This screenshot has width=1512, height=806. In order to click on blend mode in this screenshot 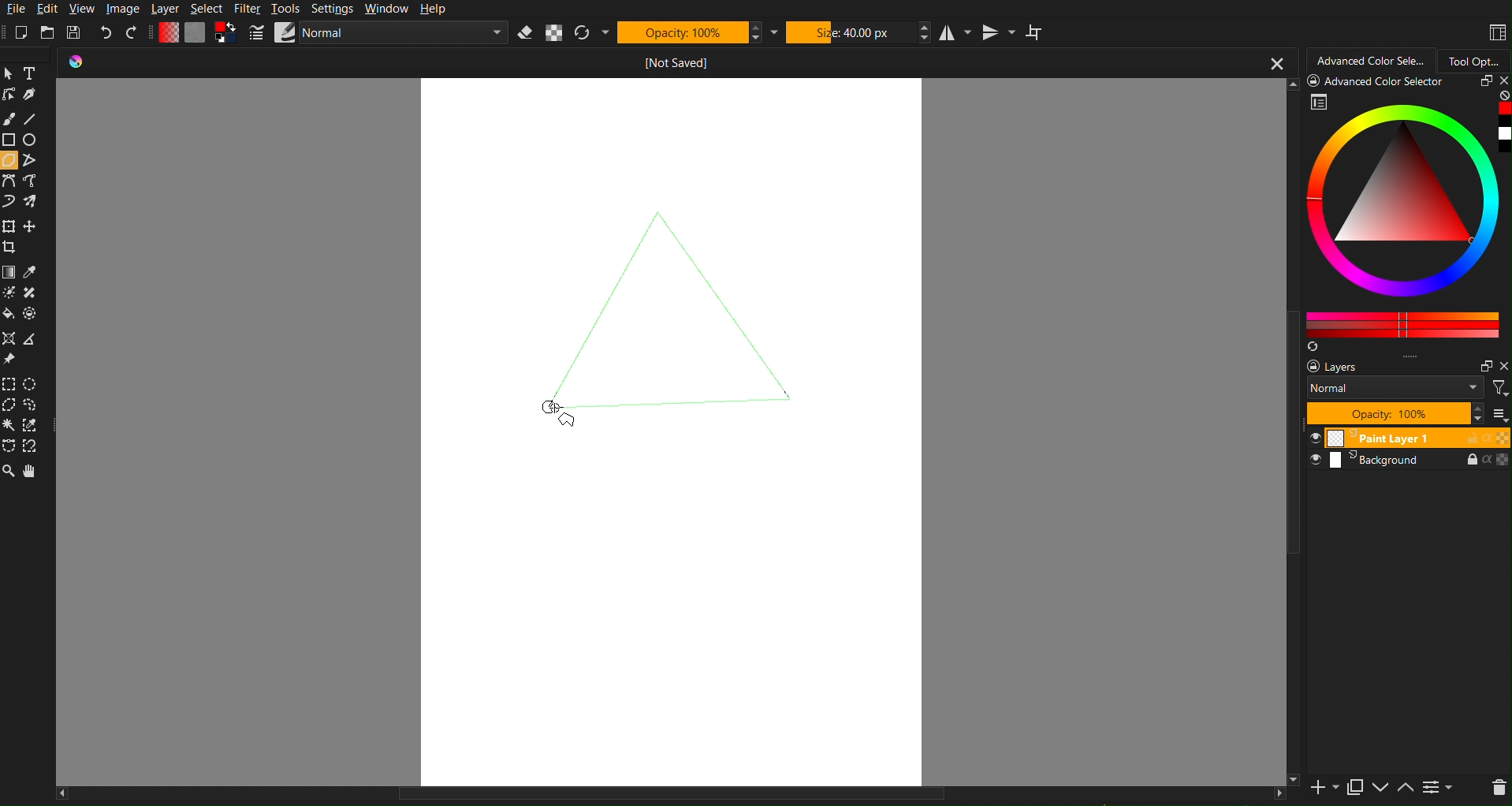, I will do `click(1394, 387)`.